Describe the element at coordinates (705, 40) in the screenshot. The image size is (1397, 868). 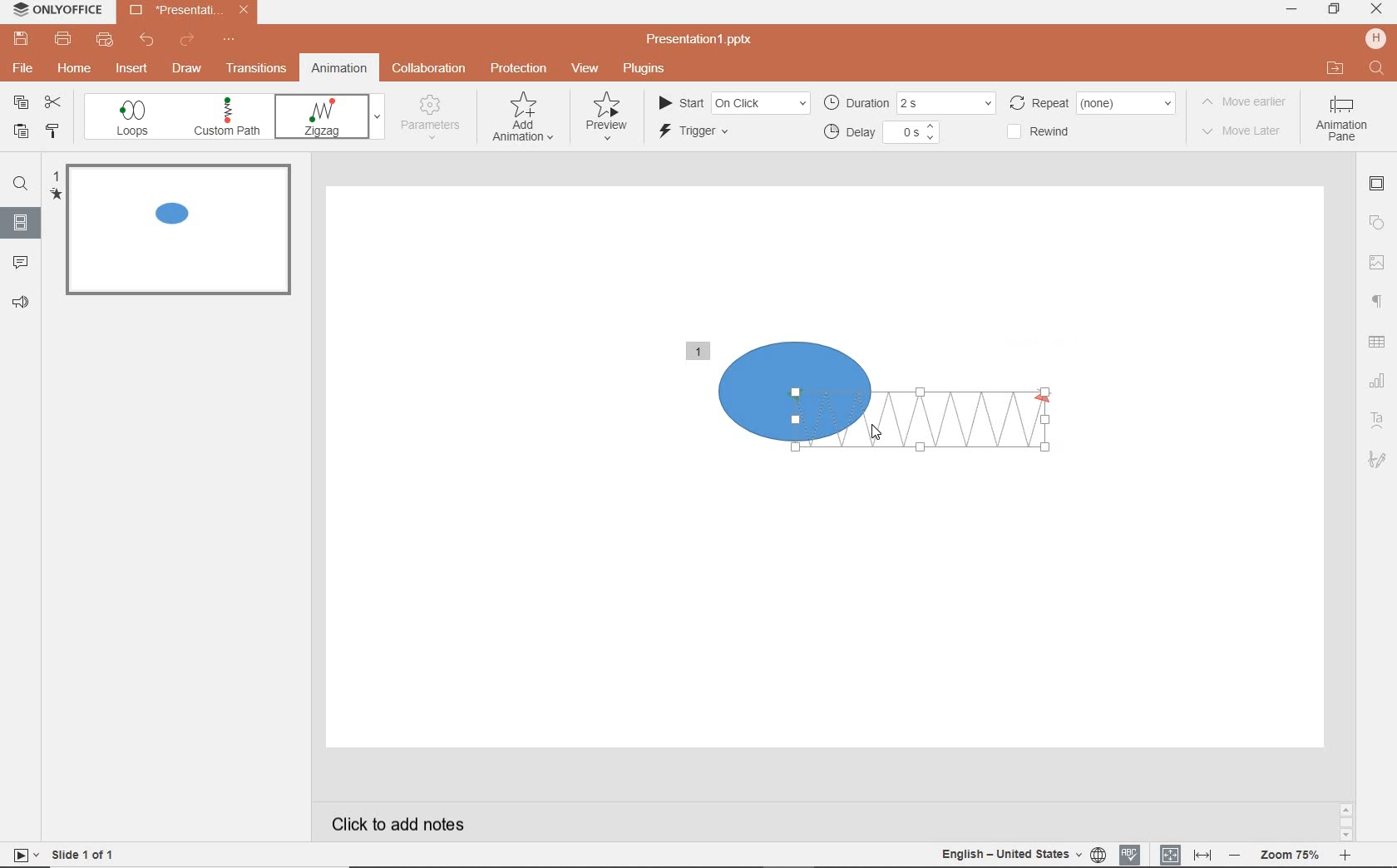
I see `file name` at that location.